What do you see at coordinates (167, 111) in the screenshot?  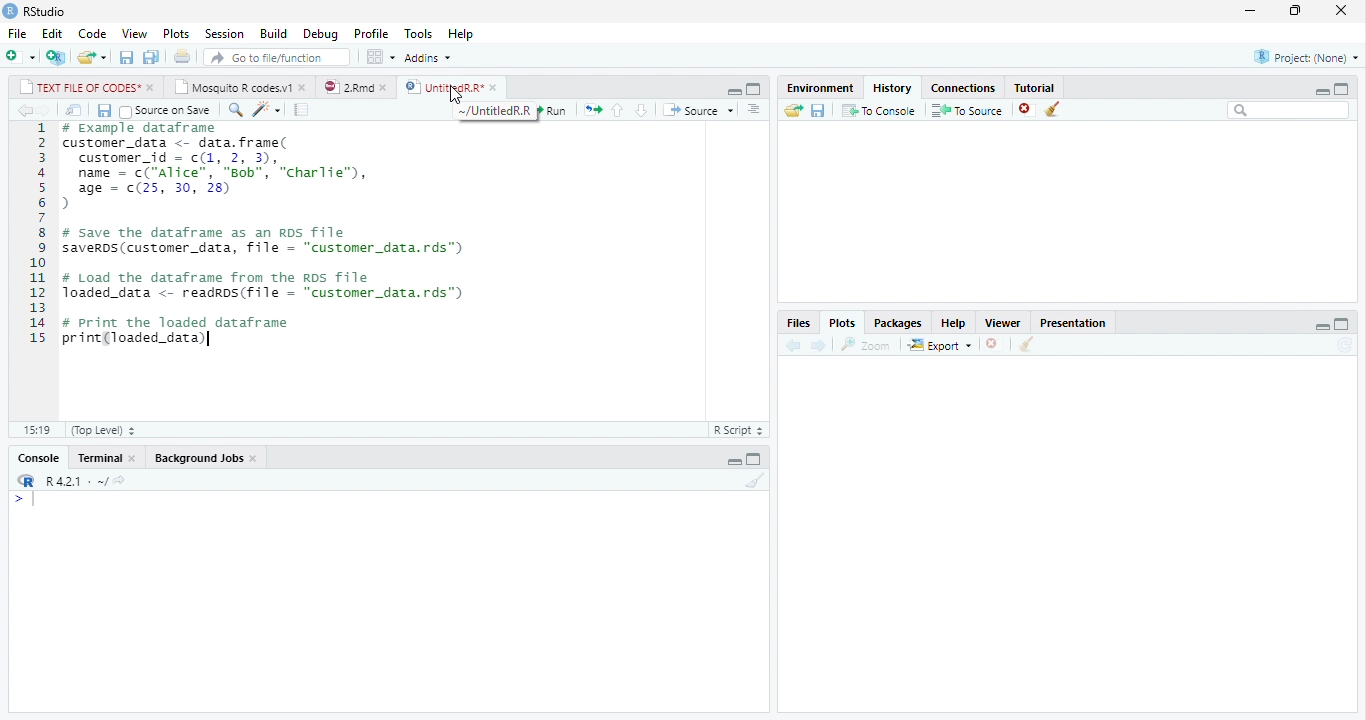 I see `Source on save` at bounding box center [167, 111].